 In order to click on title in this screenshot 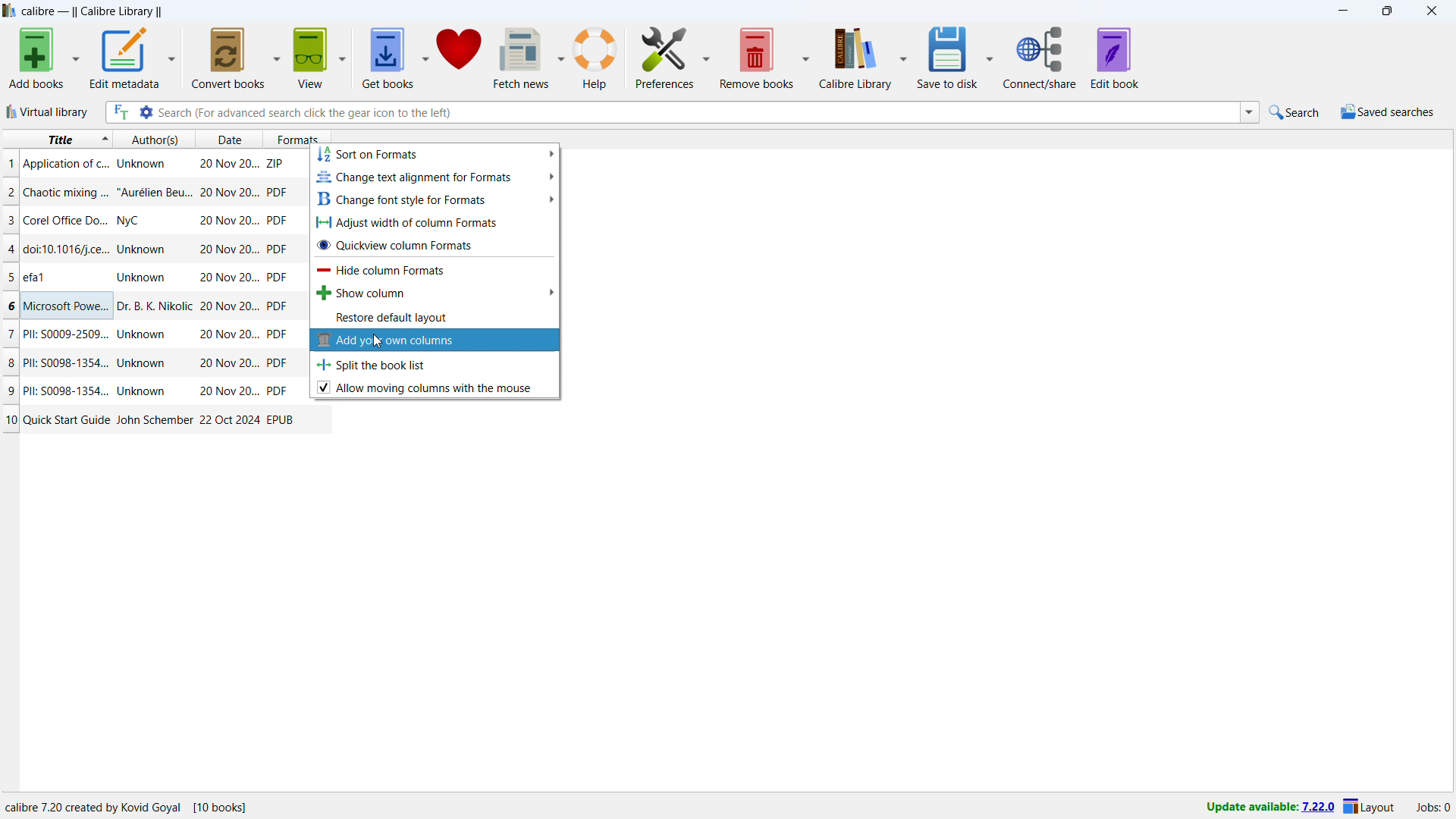, I will do `click(67, 193)`.